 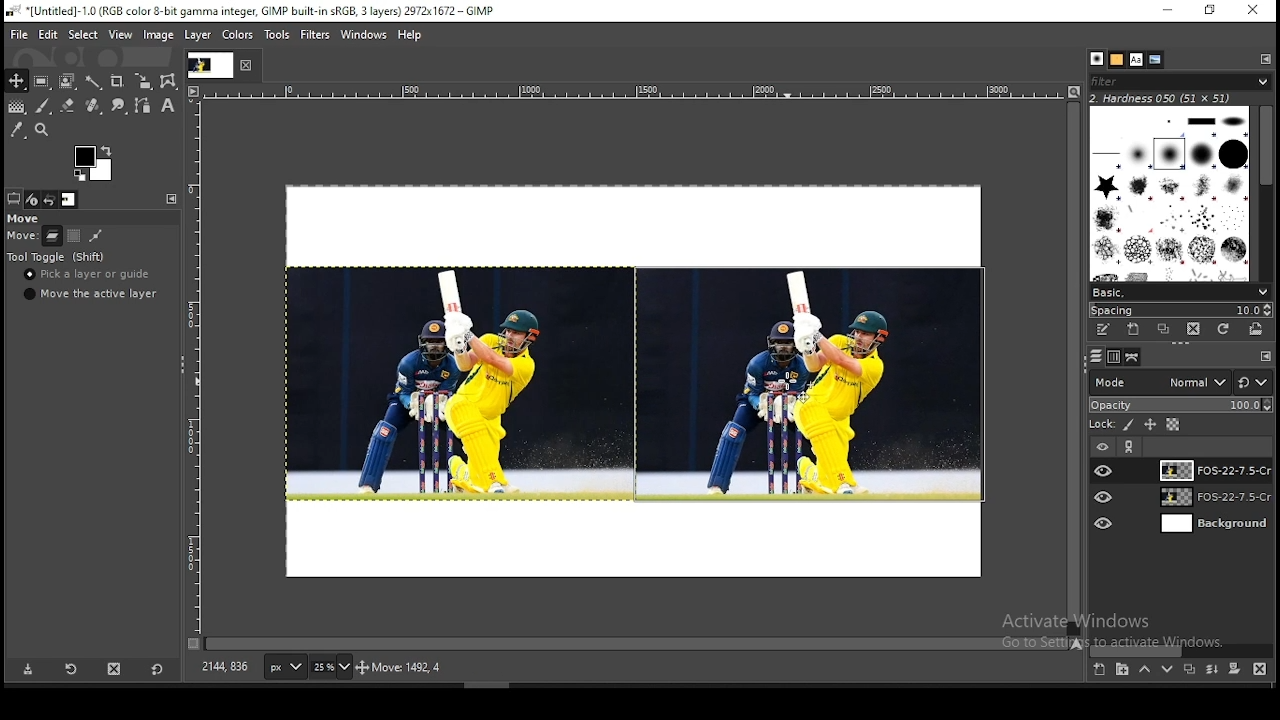 What do you see at coordinates (17, 129) in the screenshot?
I see `color picker tool` at bounding box center [17, 129].